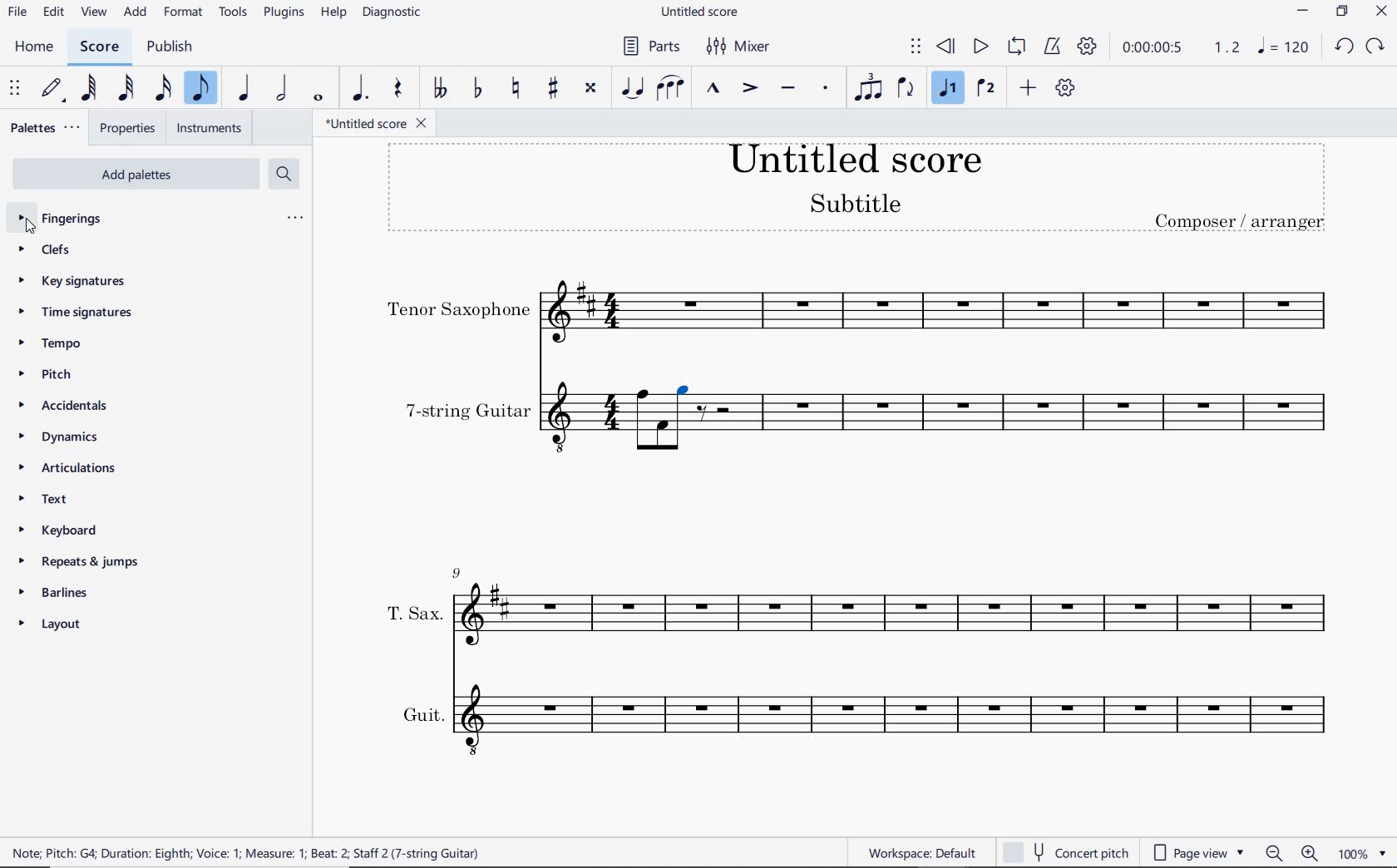 The width and height of the screenshot is (1397, 868). What do you see at coordinates (1022, 421) in the screenshot?
I see `INSTRUMENT: 7-STRING GUITAR` at bounding box center [1022, 421].